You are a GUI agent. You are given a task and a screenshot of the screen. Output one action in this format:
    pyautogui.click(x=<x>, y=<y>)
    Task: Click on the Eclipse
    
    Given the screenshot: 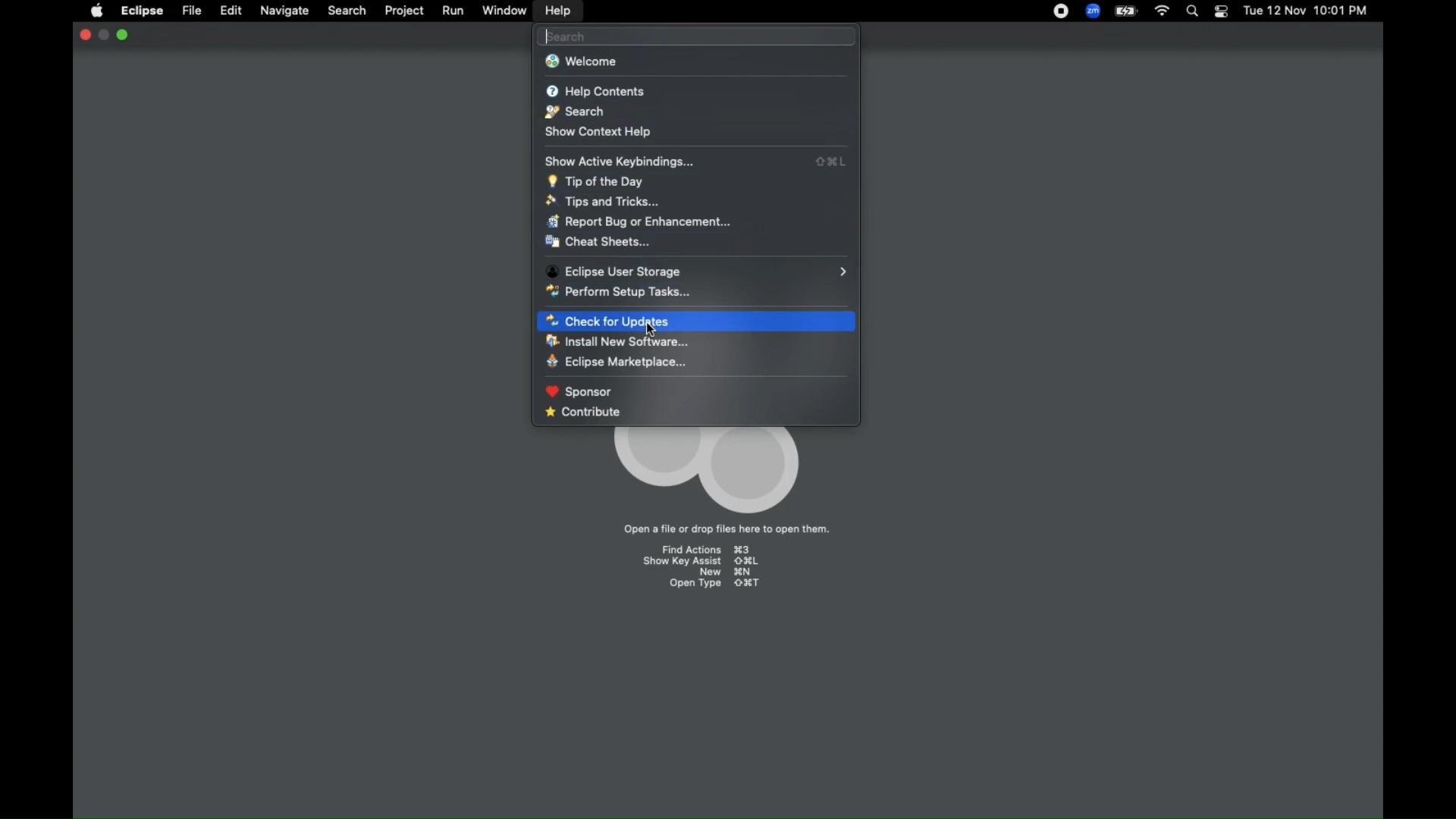 What is the action you would take?
    pyautogui.click(x=143, y=11)
    